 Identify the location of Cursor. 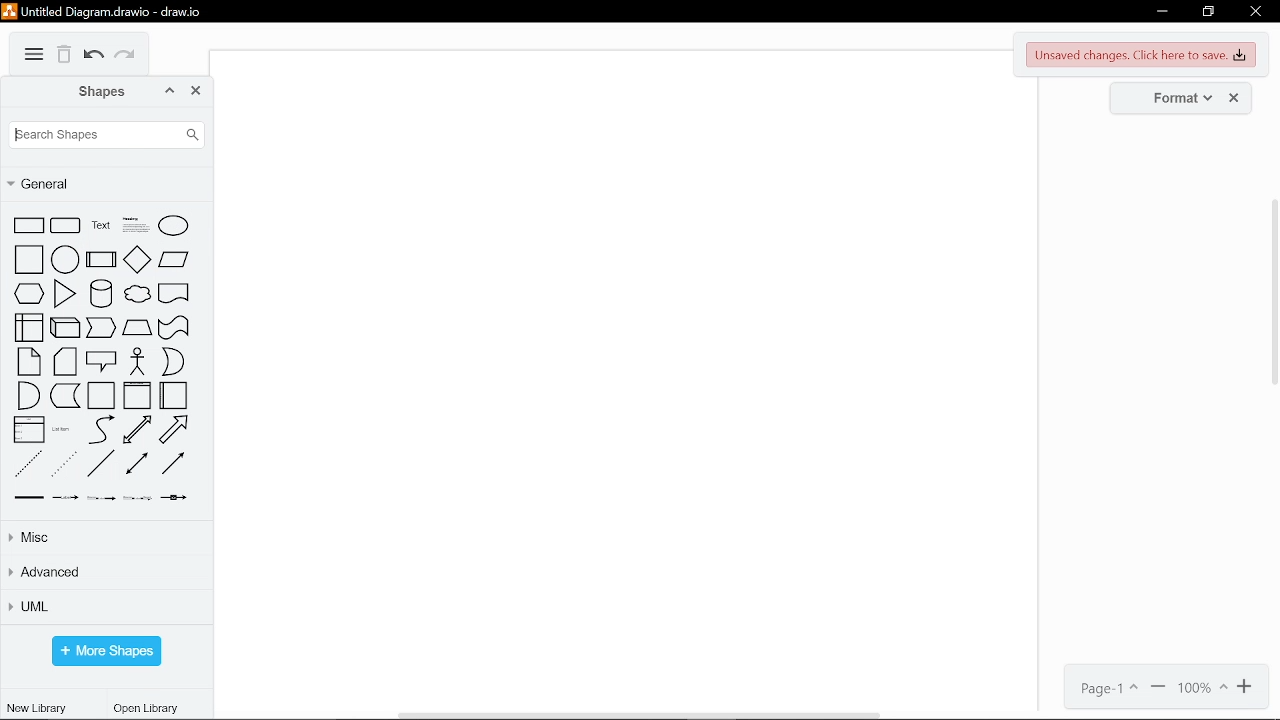
(16, 134).